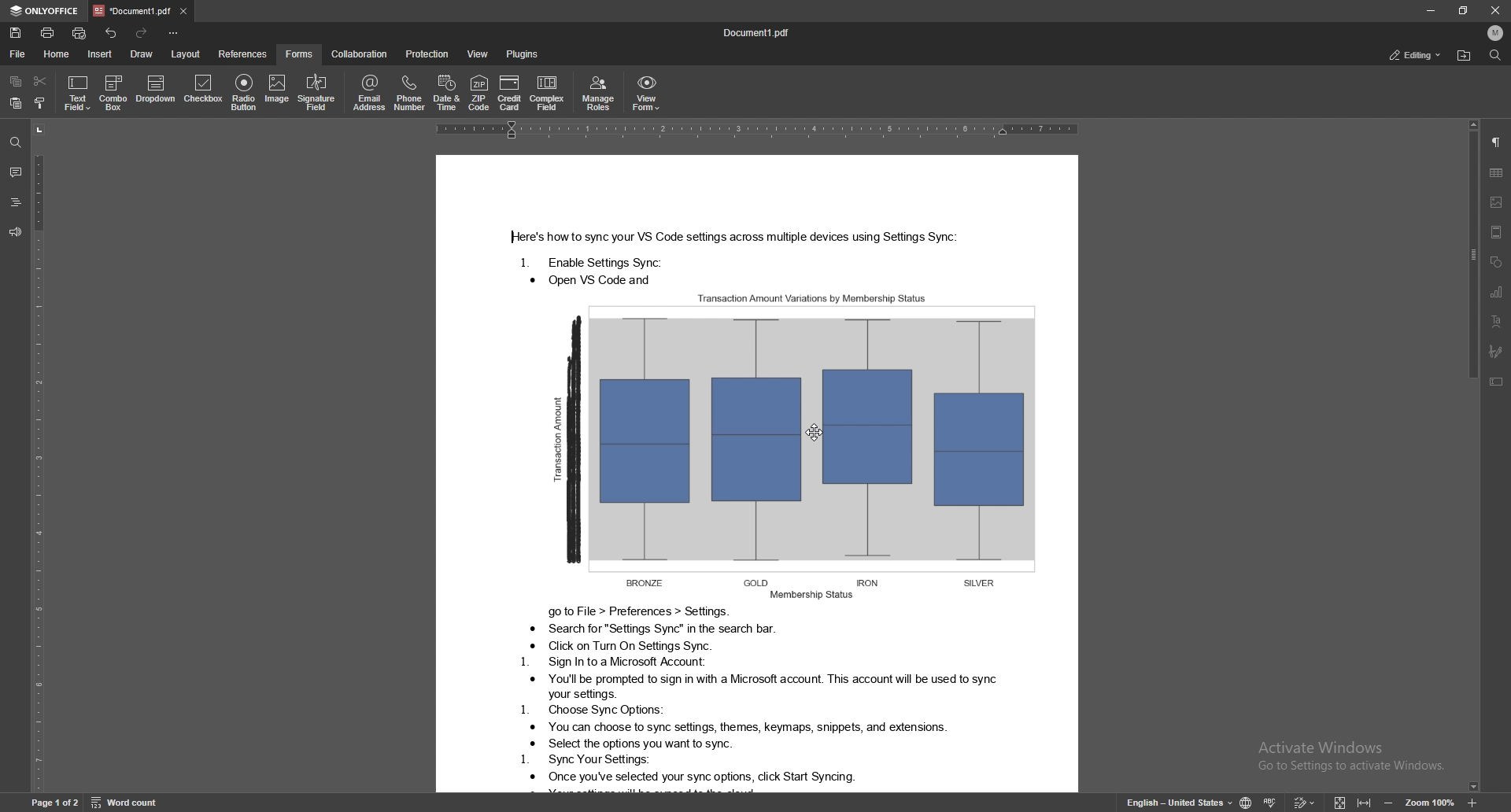 The image size is (1511, 812). Describe the element at coordinates (479, 92) in the screenshot. I see `zip code` at that location.